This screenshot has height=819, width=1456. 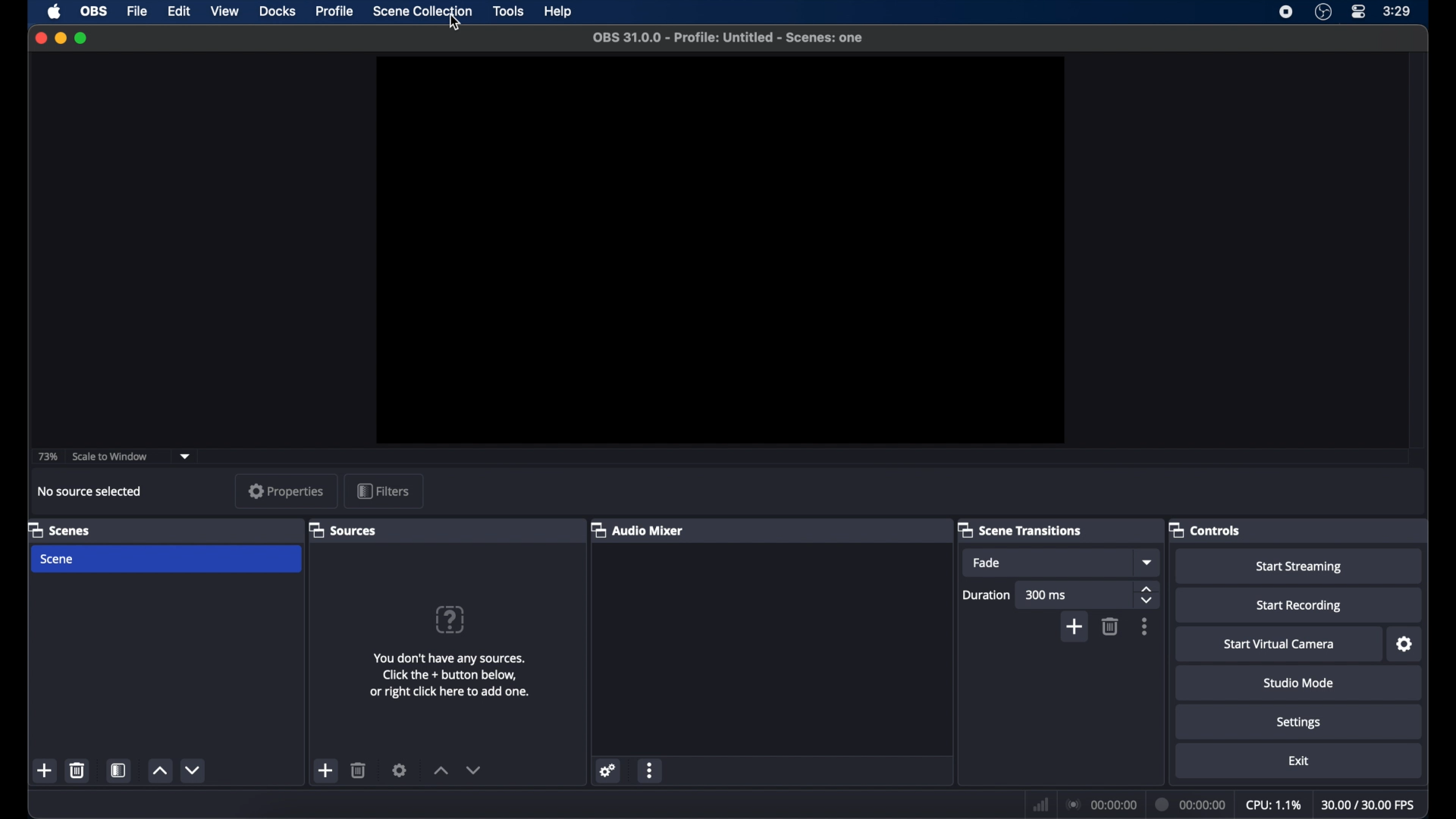 What do you see at coordinates (278, 11) in the screenshot?
I see `docks` at bounding box center [278, 11].